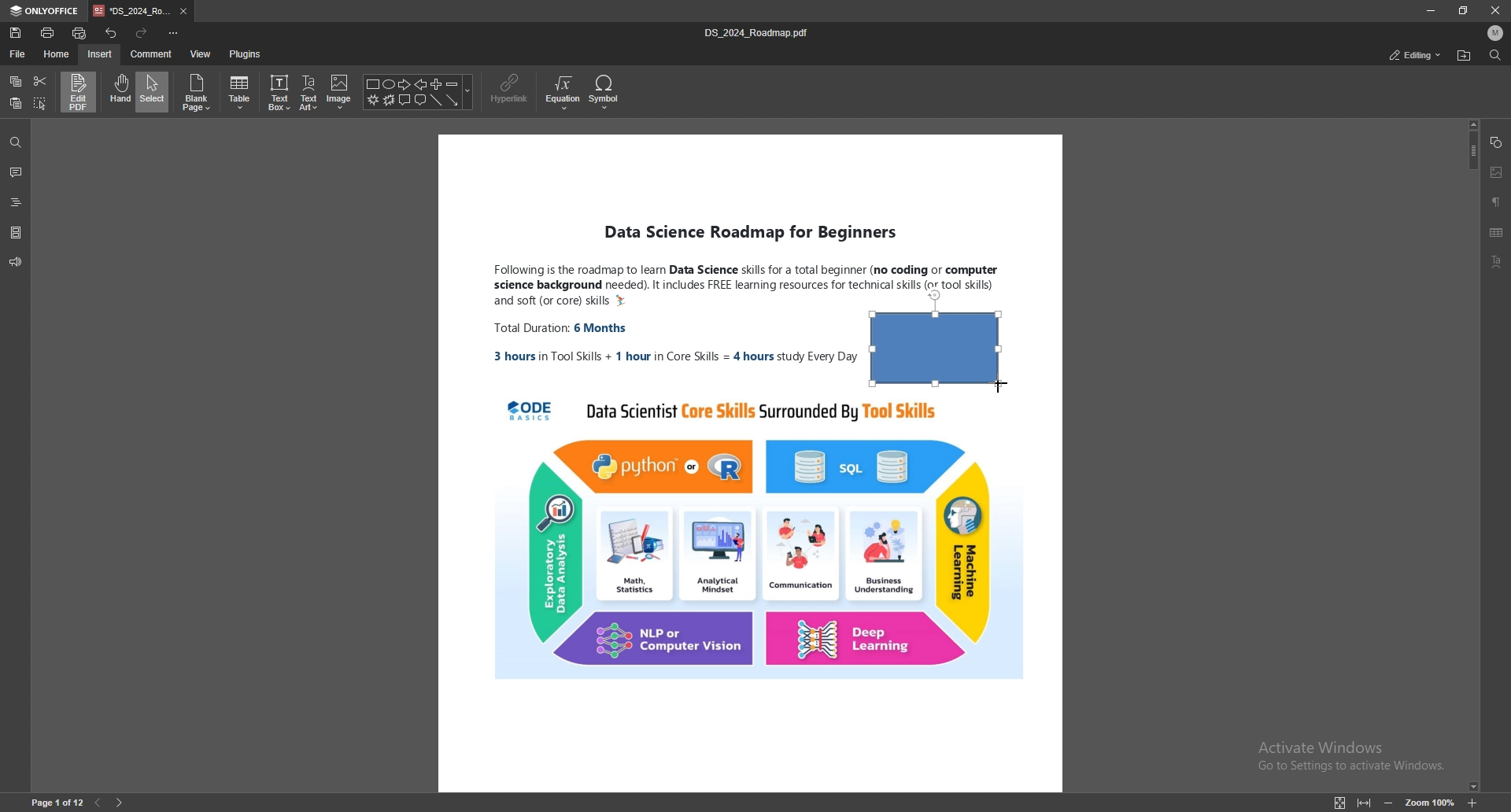 Image resolution: width=1511 pixels, height=812 pixels. I want to click on blank page, so click(198, 93).